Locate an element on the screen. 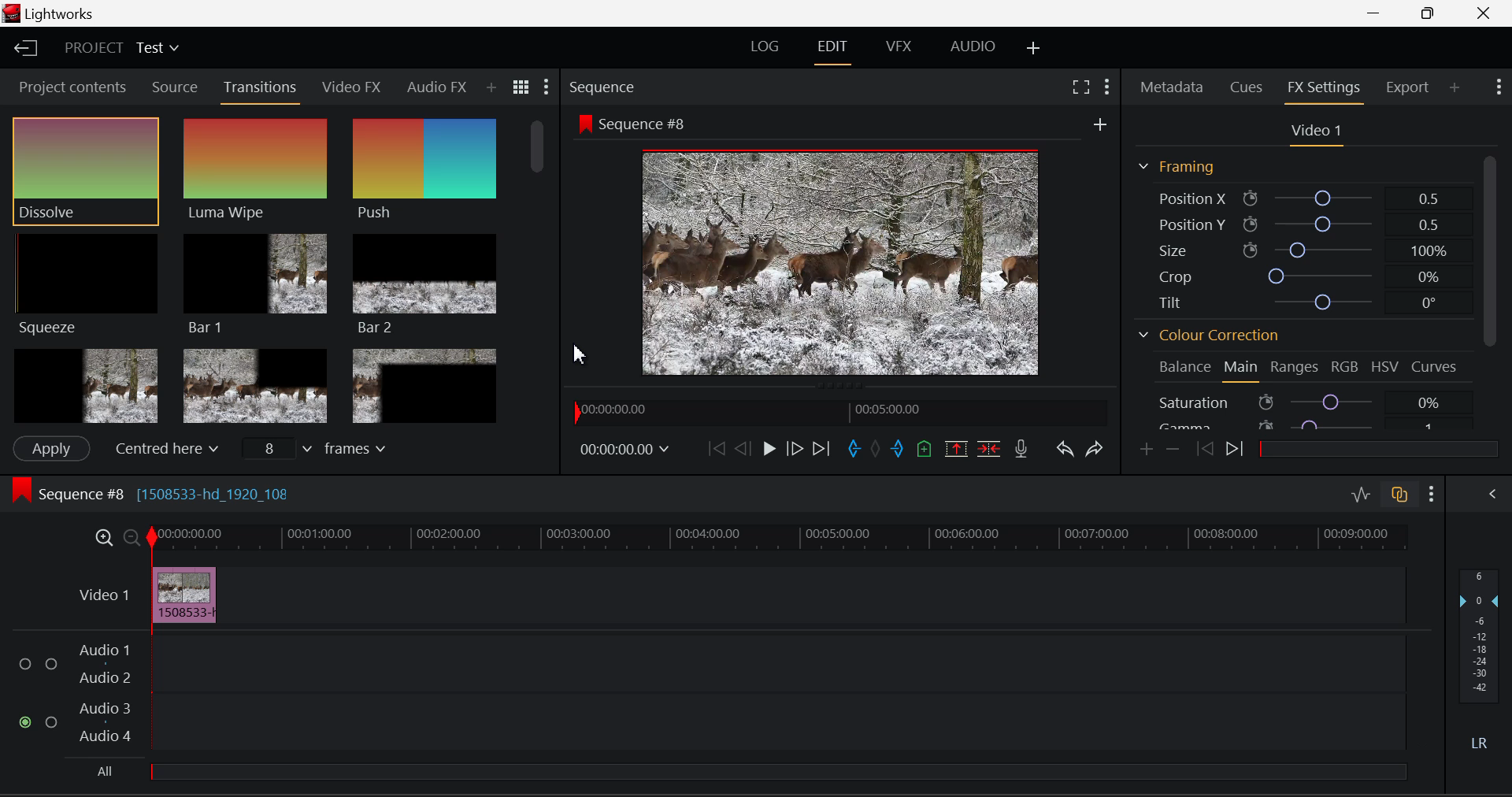 The image size is (1512, 797). All is located at coordinates (108, 767).